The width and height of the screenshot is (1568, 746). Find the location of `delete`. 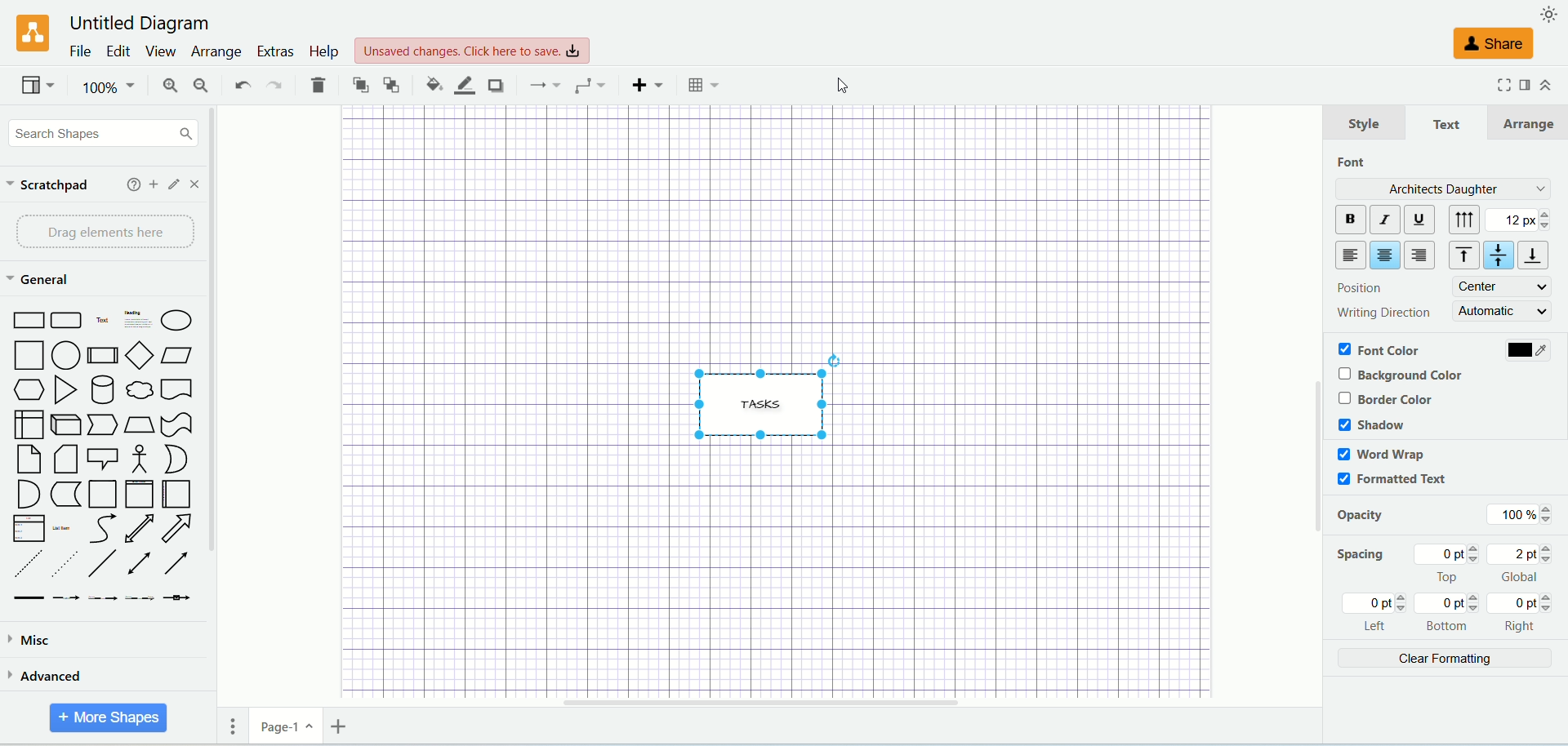

delete is located at coordinates (318, 84).